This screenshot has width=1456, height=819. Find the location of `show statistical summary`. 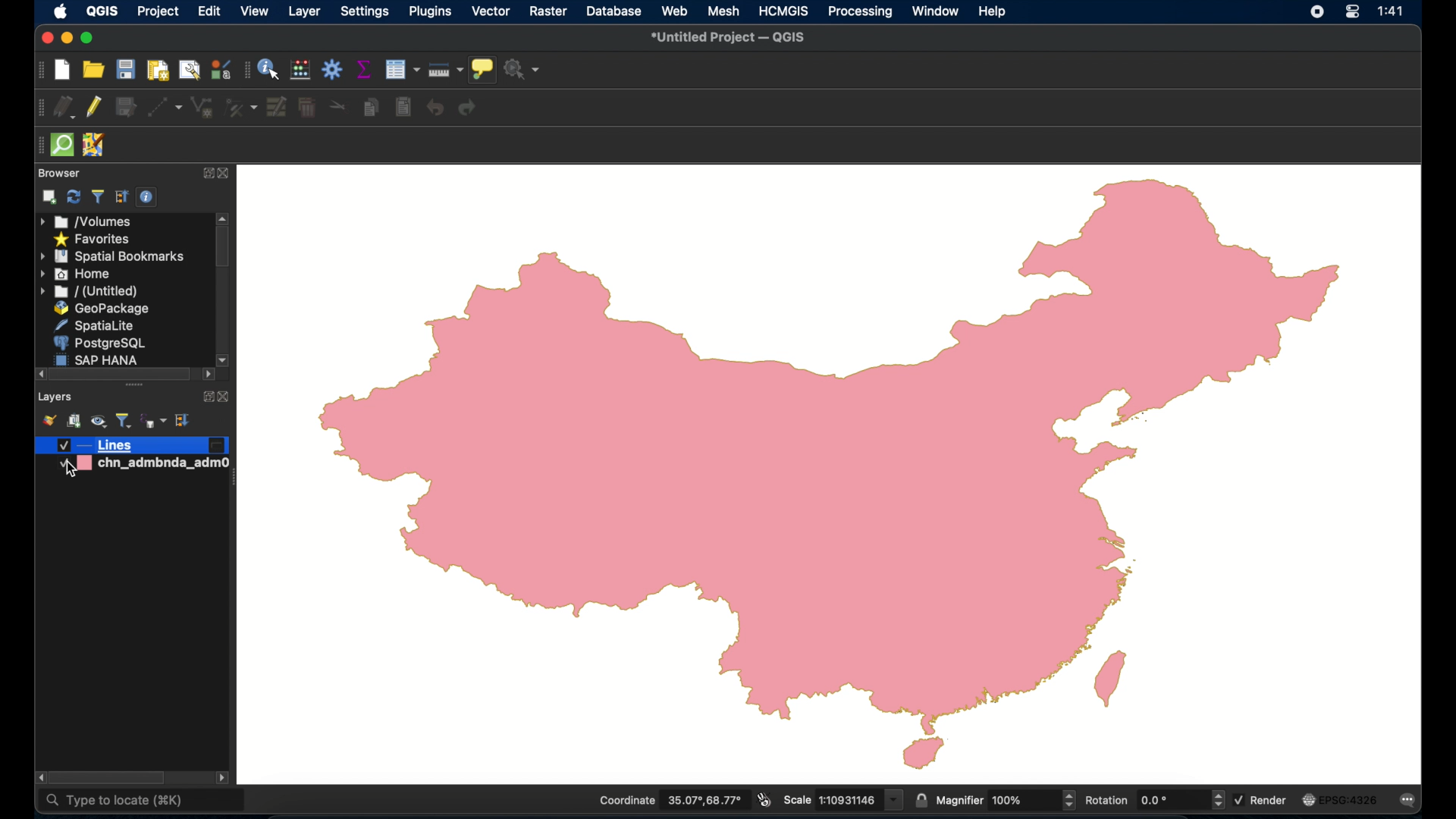

show statistical summary is located at coordinates (362, 68).